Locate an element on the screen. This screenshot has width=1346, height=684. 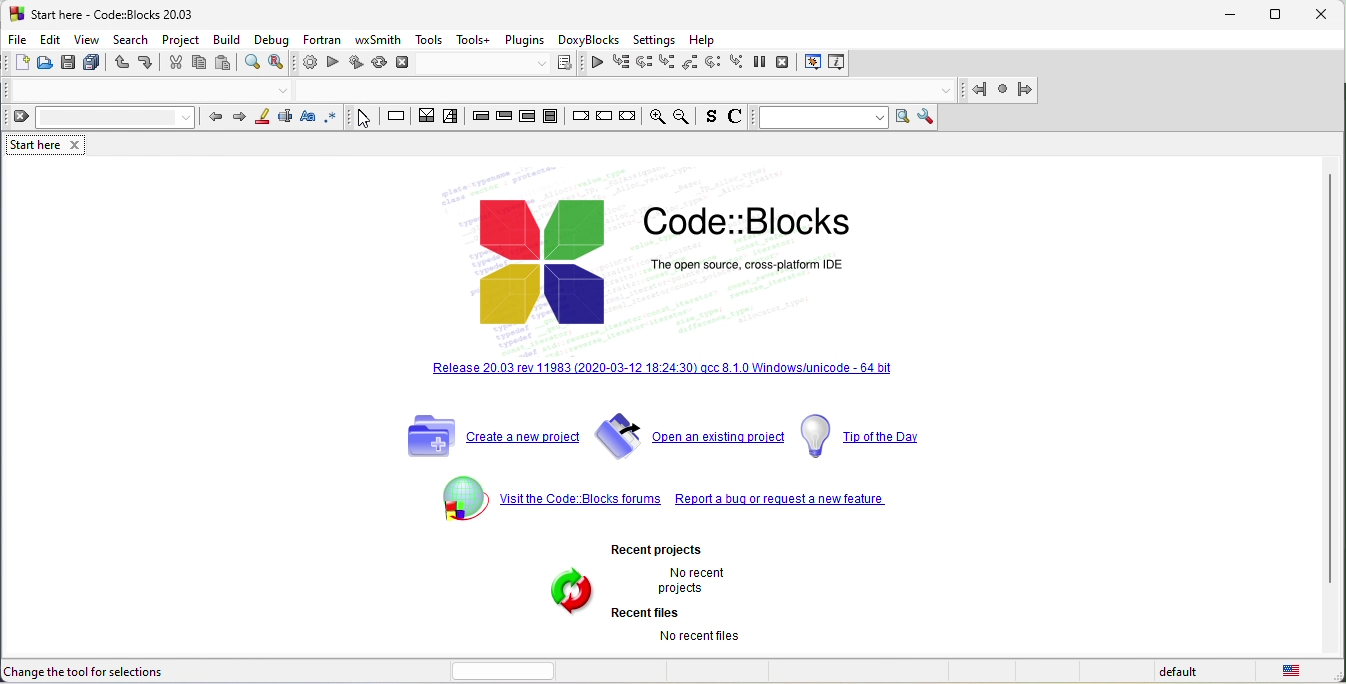
vertical scroll bar is located at coordinates (1329, 382).